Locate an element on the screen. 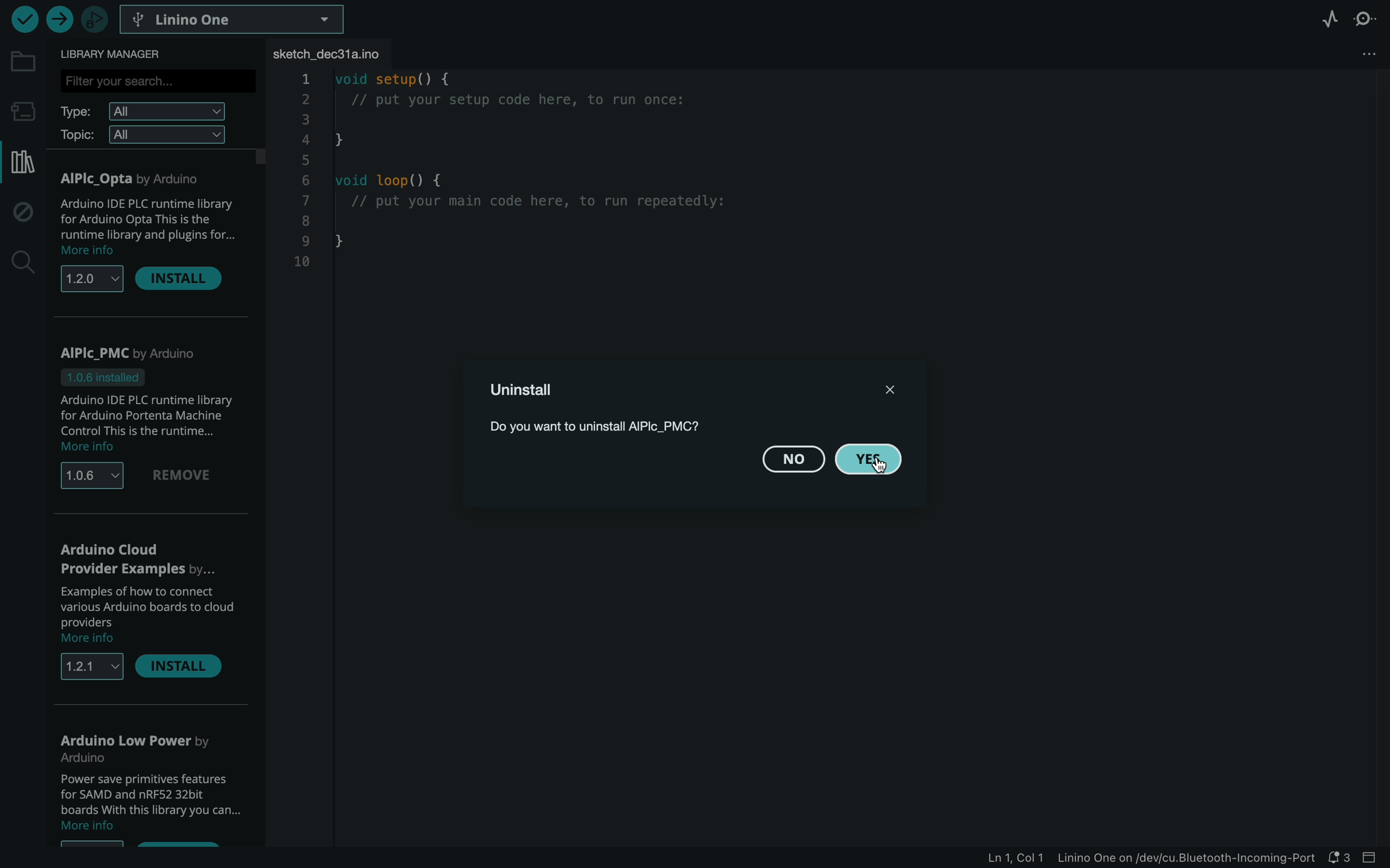 The image size is (1390, 868). versions is located at coordinates (91, 278).